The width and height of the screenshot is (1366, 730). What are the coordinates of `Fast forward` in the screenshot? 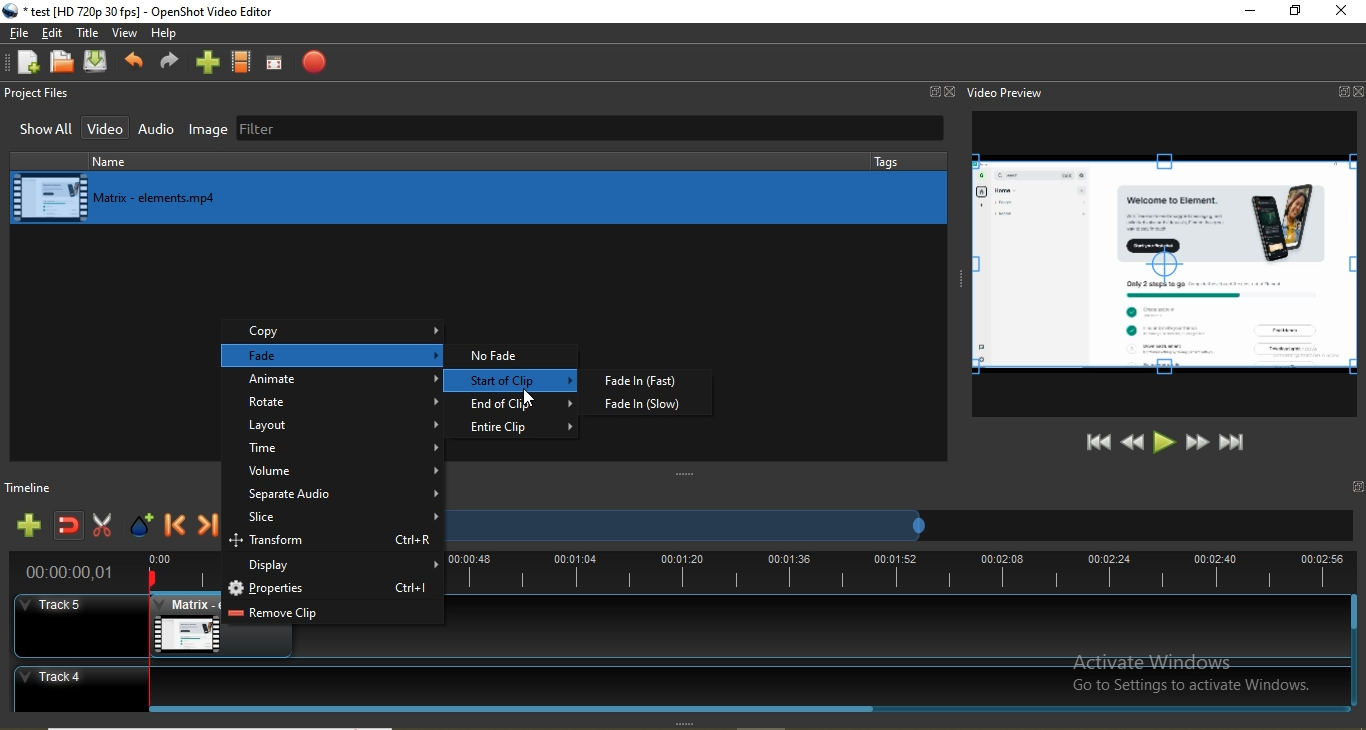 It's located at (1198, 443).